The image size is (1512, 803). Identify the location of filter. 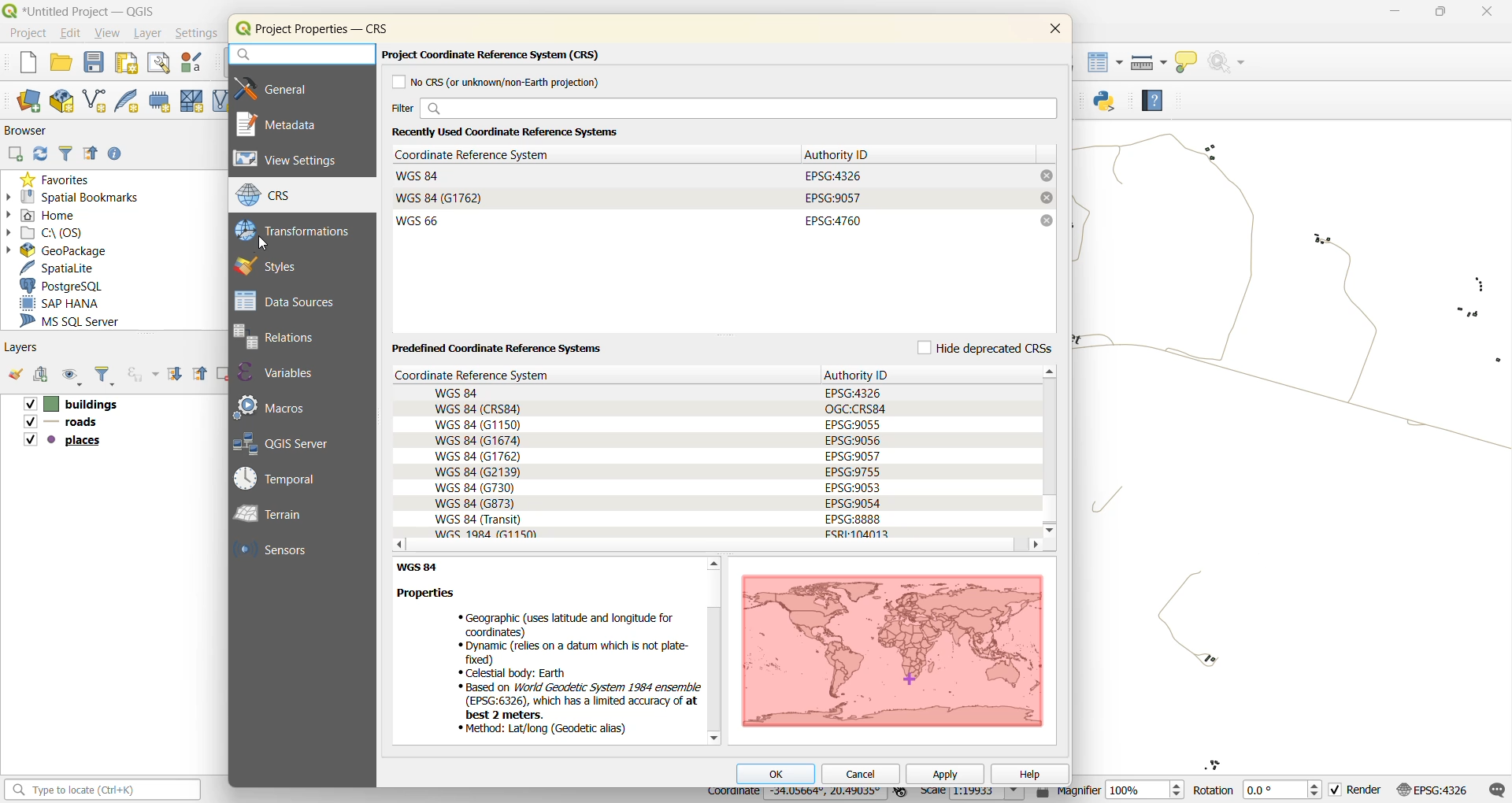
(106, 376).